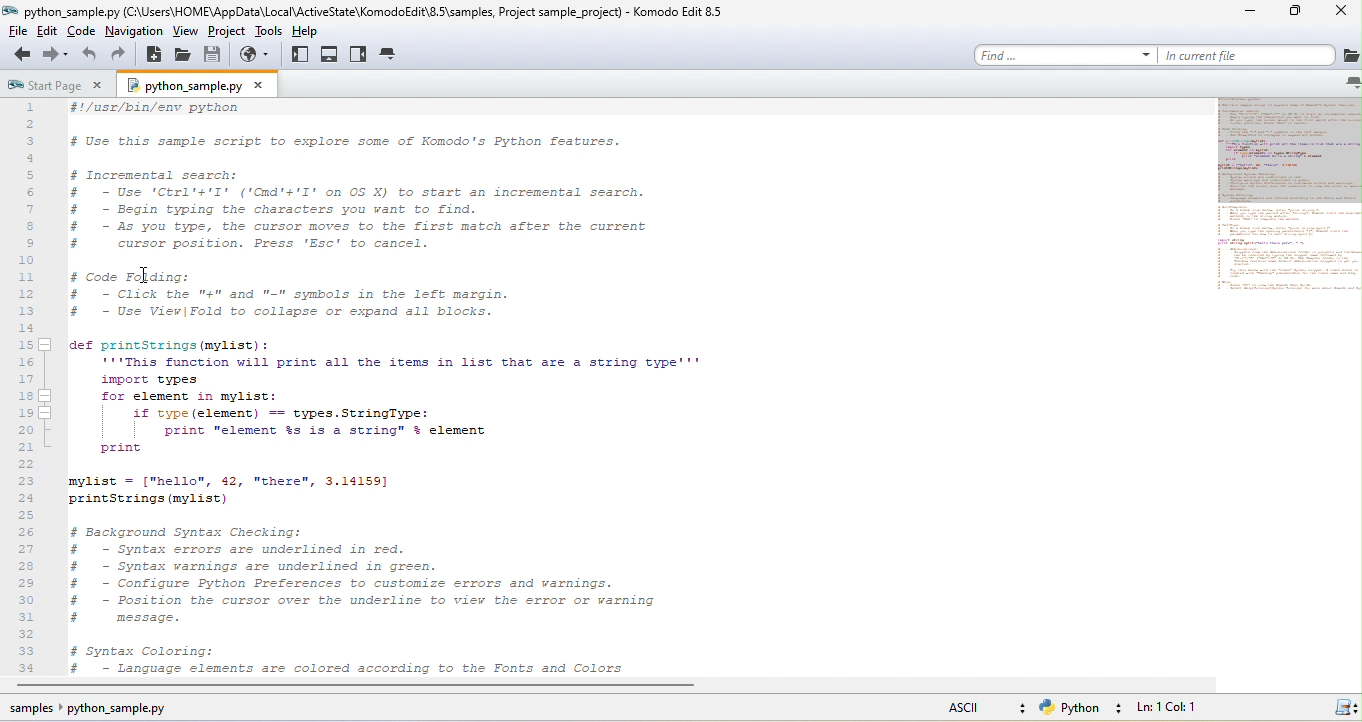  I want to click on close, so click(1342, 13).